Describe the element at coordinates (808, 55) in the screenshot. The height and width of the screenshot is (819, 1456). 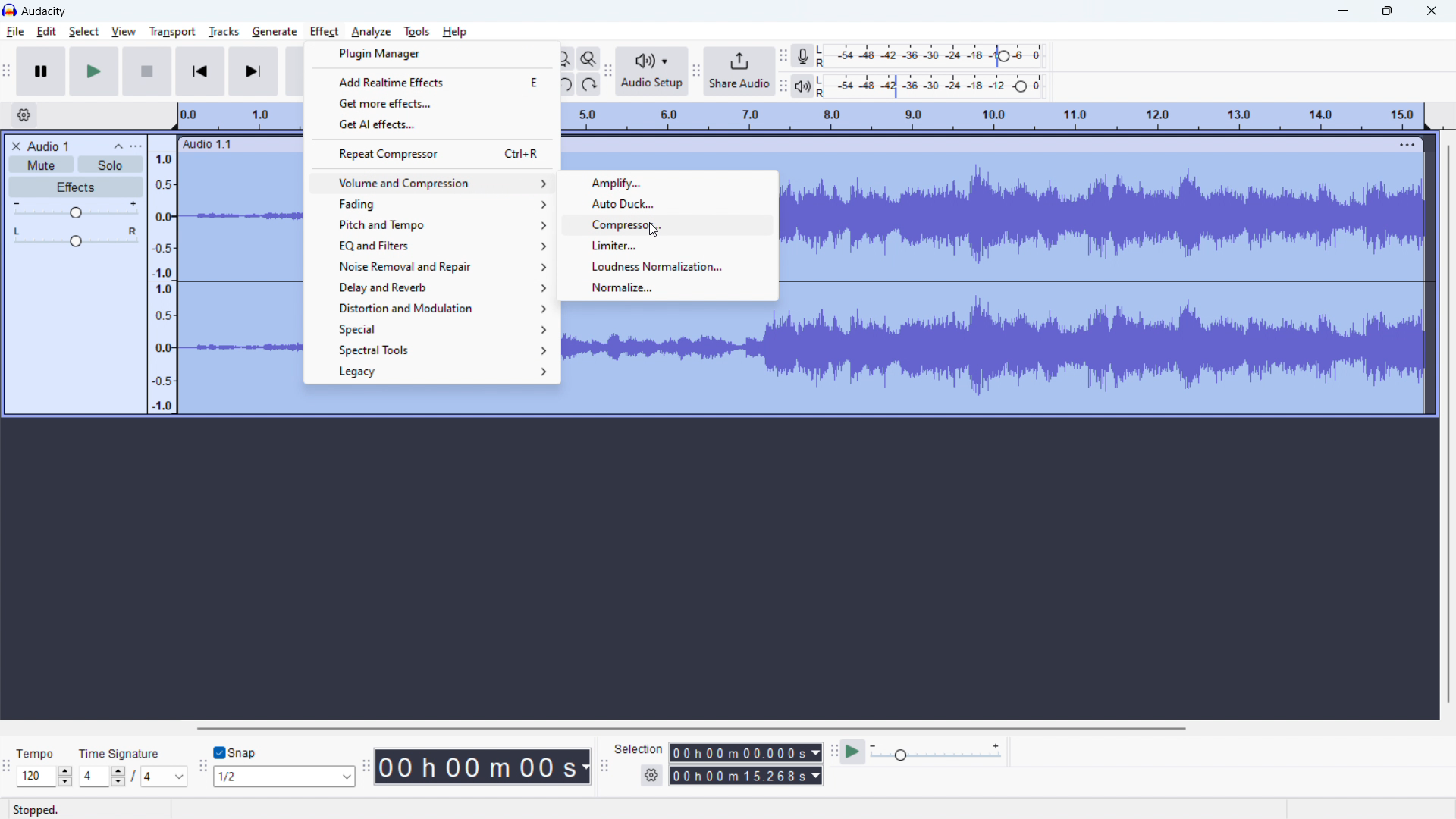
I see `recording meter` at that location.